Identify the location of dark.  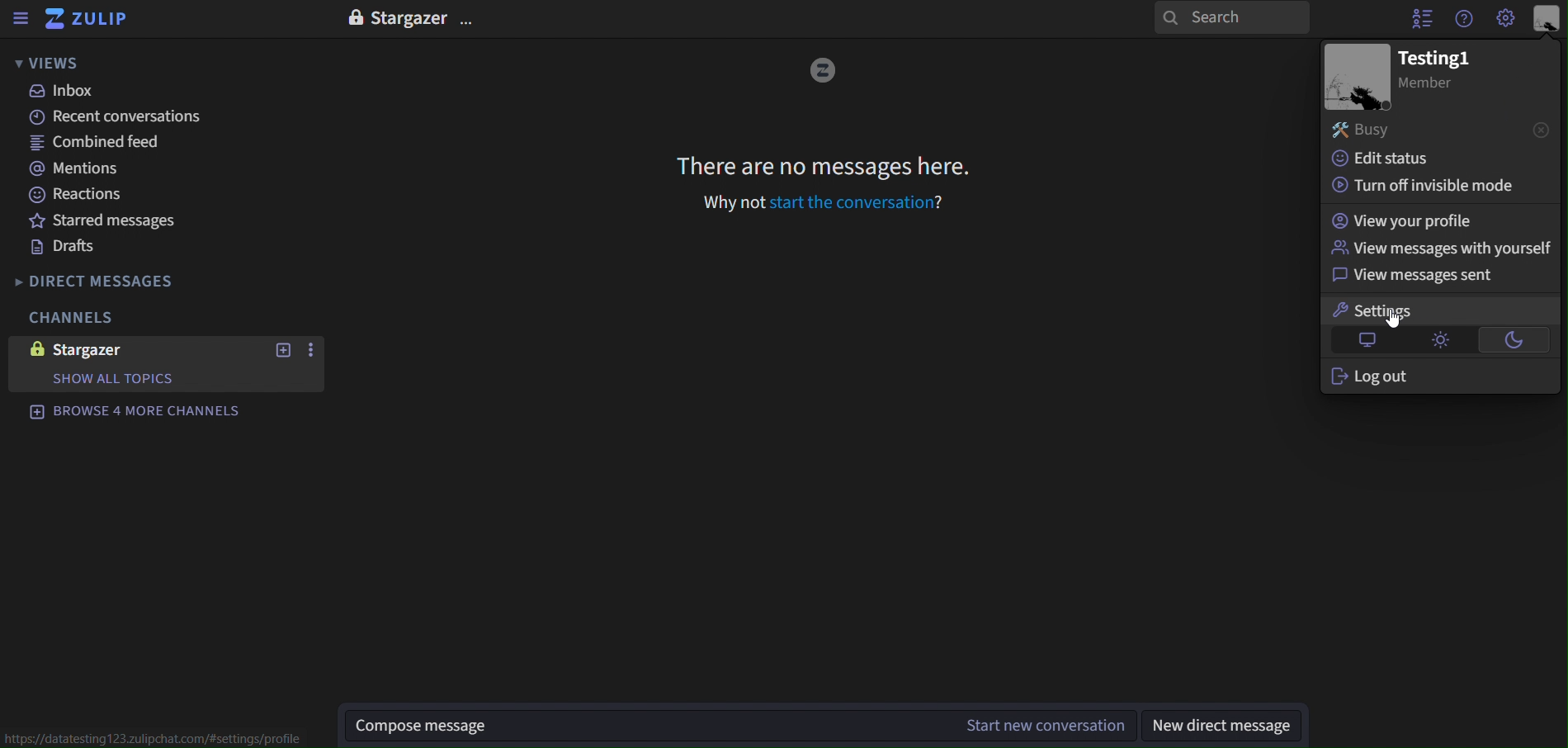
(1514, 340).